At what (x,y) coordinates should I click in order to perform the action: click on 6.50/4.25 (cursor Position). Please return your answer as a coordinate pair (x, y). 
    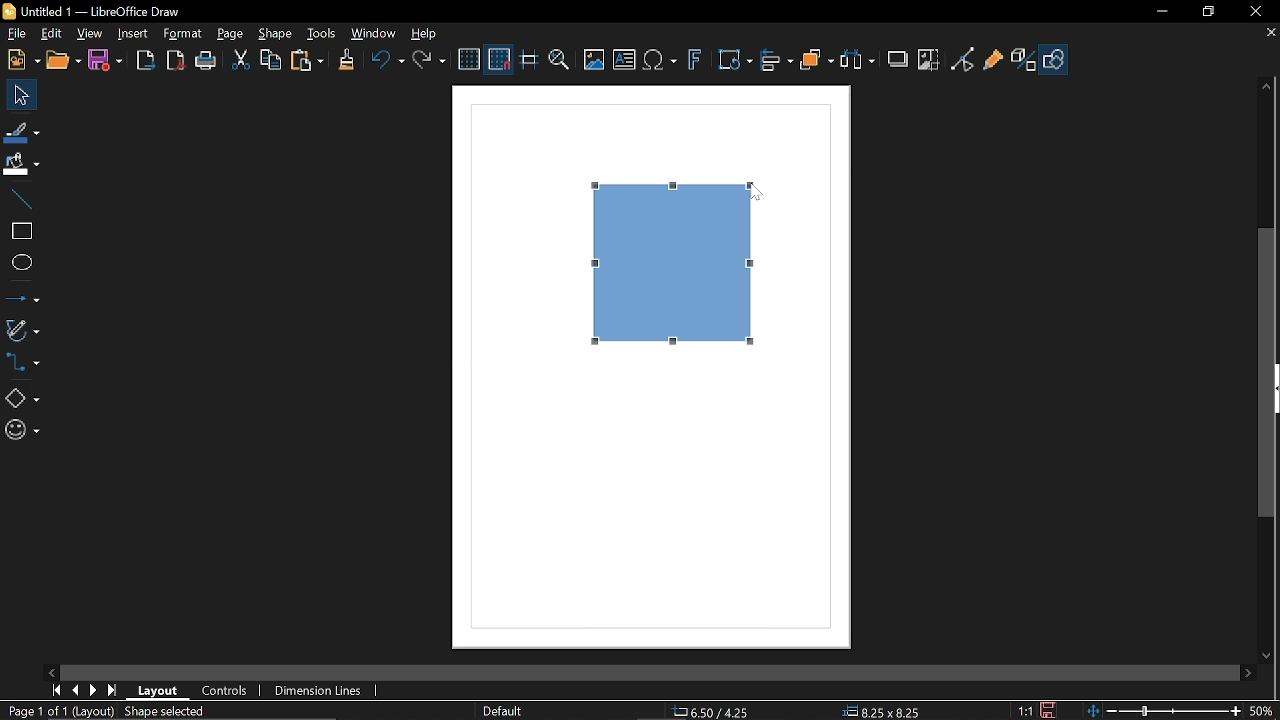
    Looking at the image, I should click on (714, 712).